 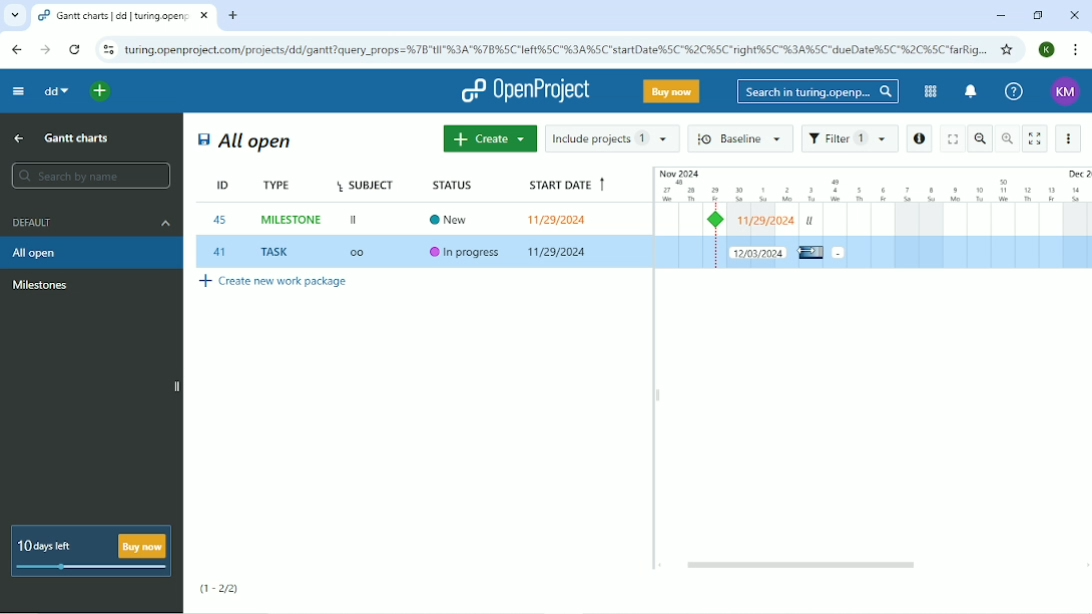 What do you see at coordinates (274, 284) in the screenshot?
I see `Create new work package` at bounding box center [274, 284].